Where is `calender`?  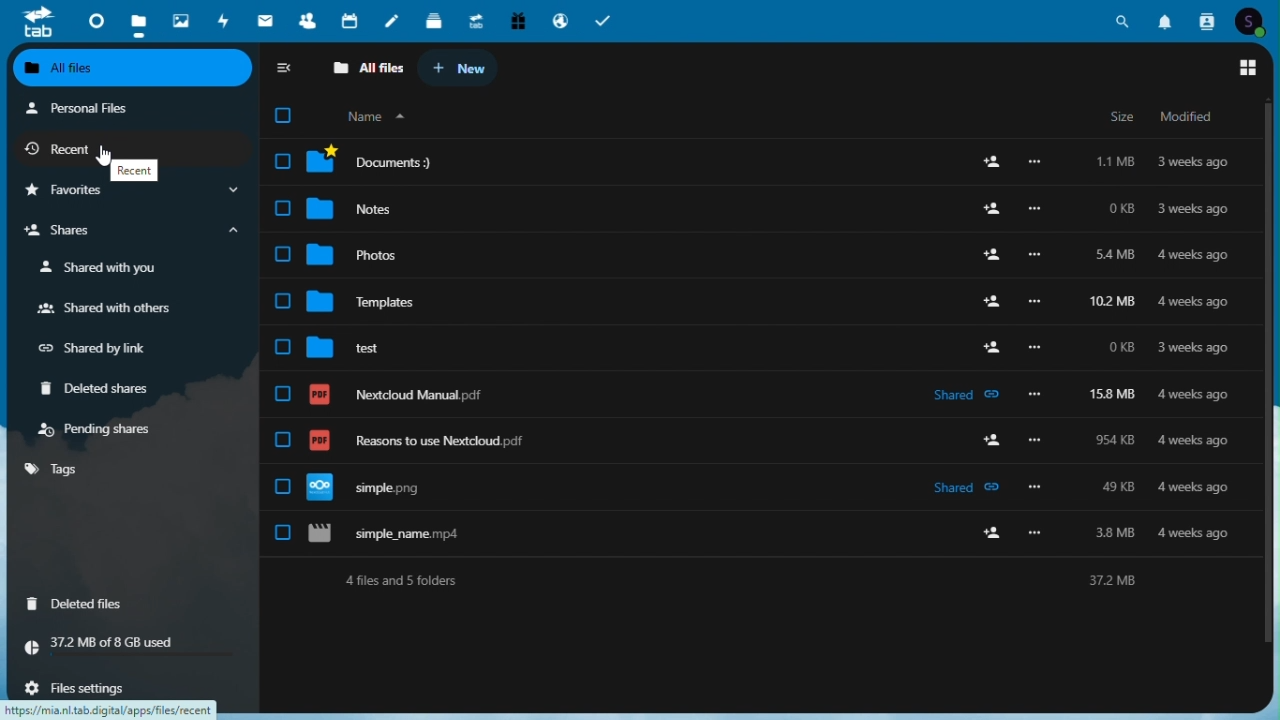 calender is located at coordinates (350, 21).